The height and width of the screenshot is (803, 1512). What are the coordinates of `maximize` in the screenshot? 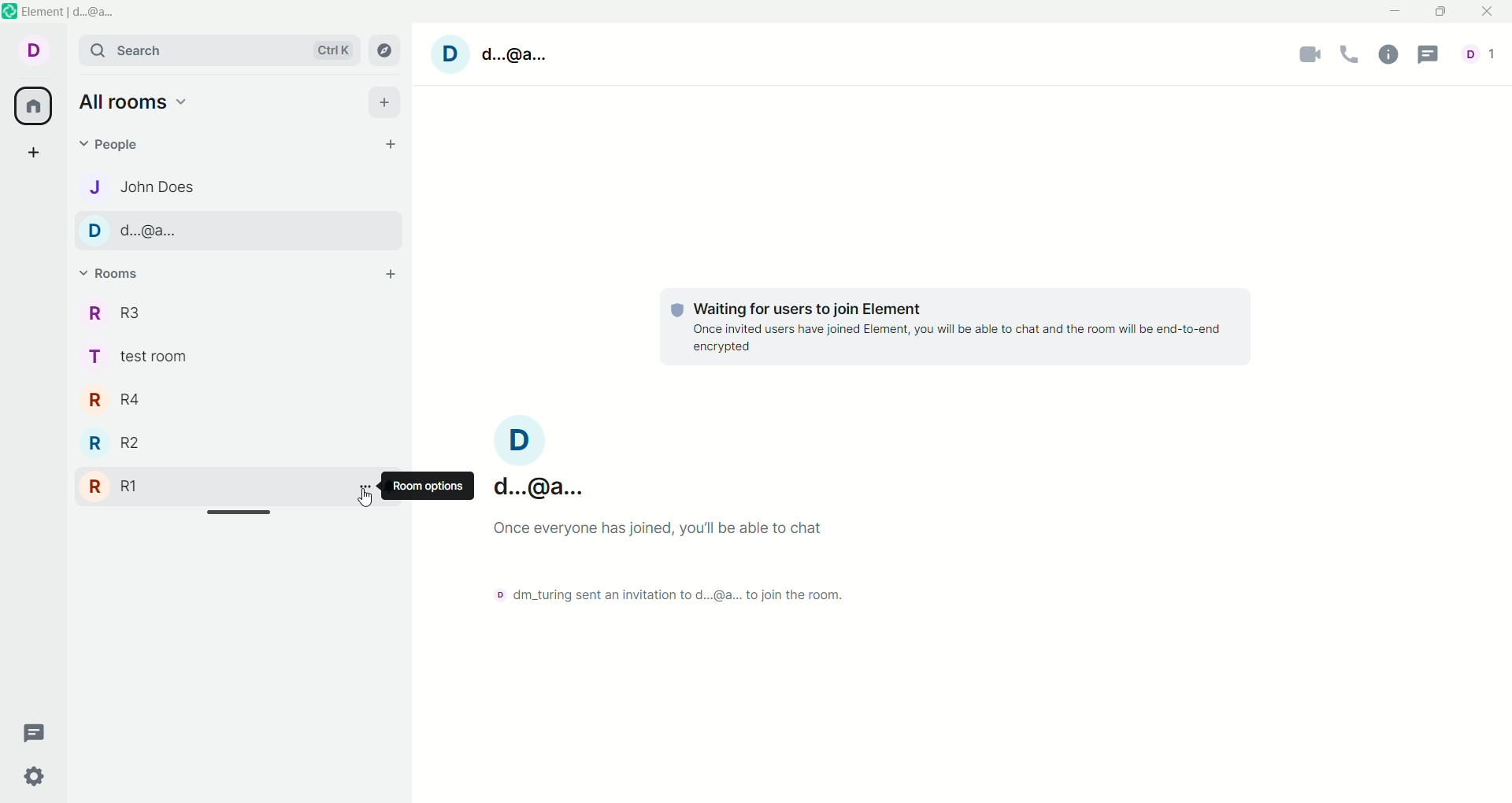 It's located at (1439, 9).